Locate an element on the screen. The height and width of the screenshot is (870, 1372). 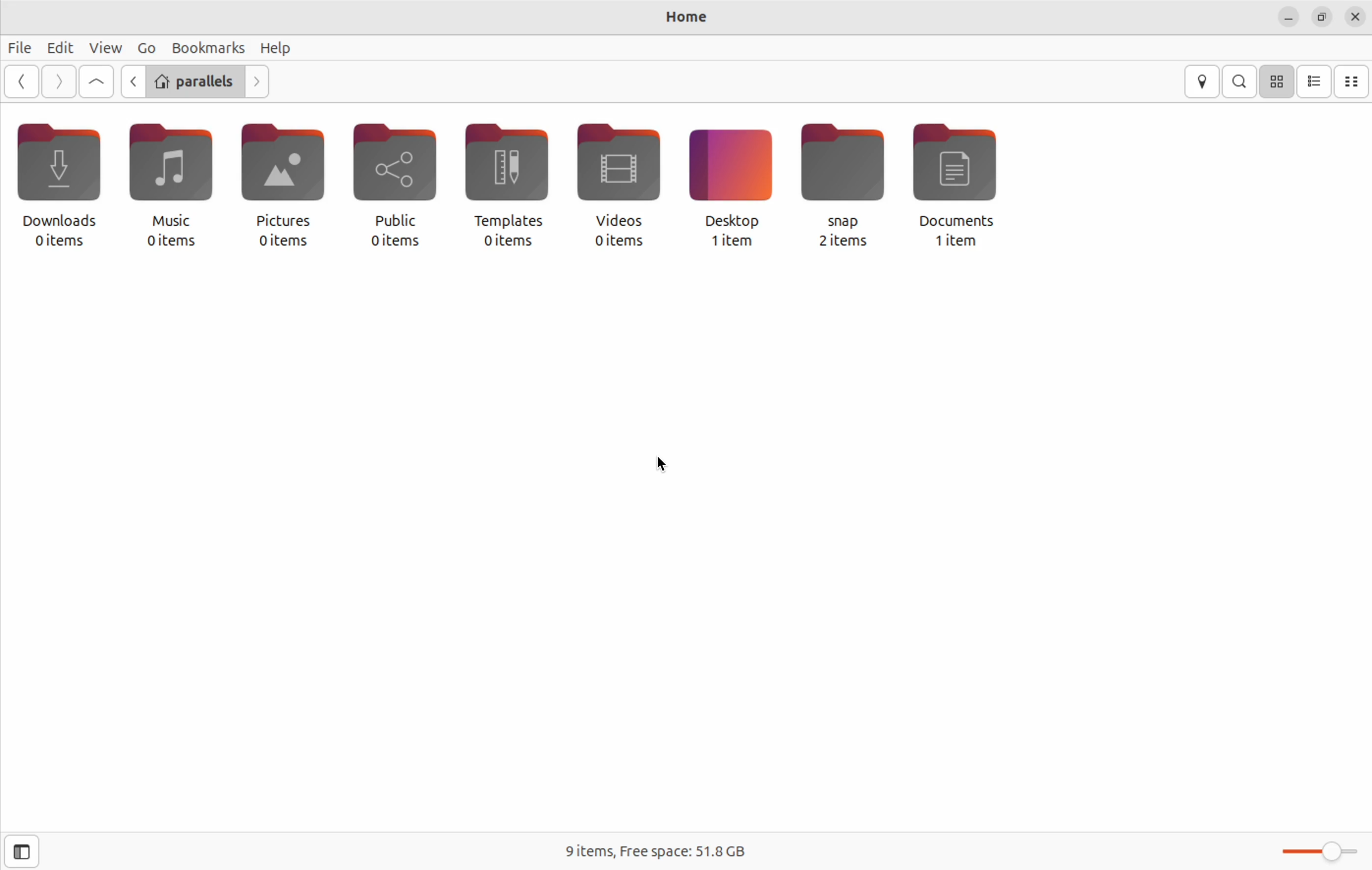
bookmarks is located at coordinates (210, 47).